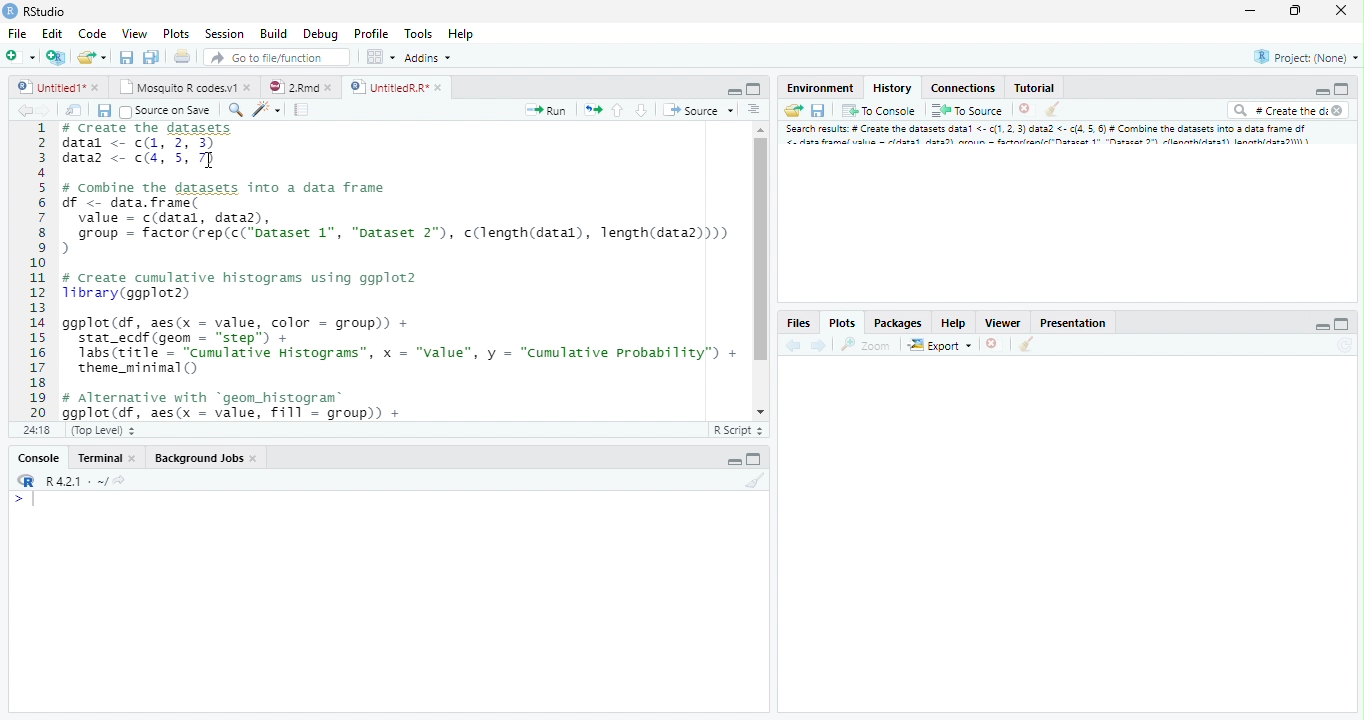  Describe the element at coordinates (1002, 323) in the screenshot. I see `Viewer` at that location.